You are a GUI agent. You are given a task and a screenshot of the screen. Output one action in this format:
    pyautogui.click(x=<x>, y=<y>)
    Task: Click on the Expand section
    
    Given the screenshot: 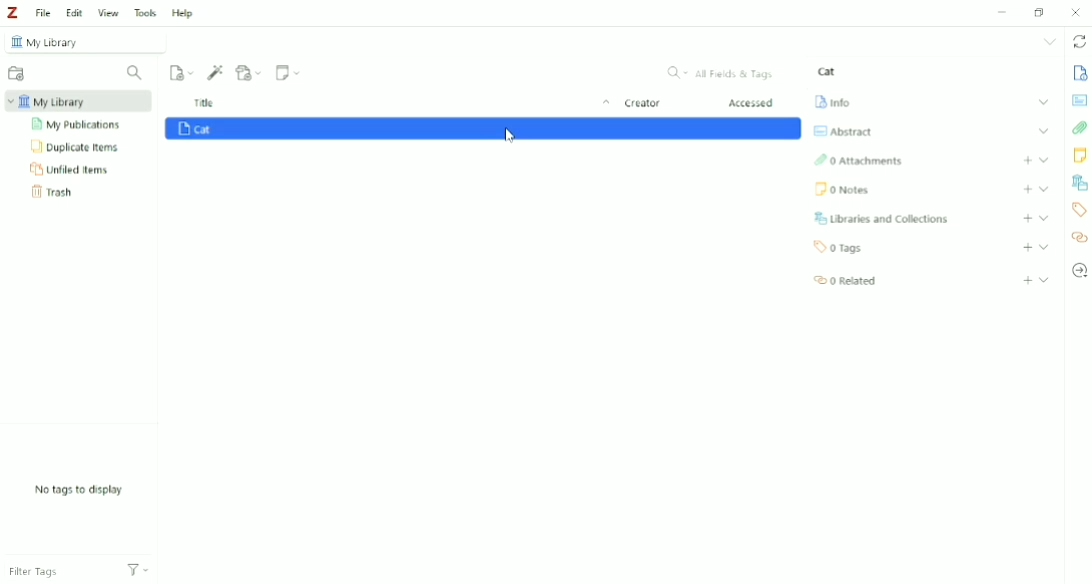 What is the action you would take?
    pyautogui.click(x=1045, y=279)
    